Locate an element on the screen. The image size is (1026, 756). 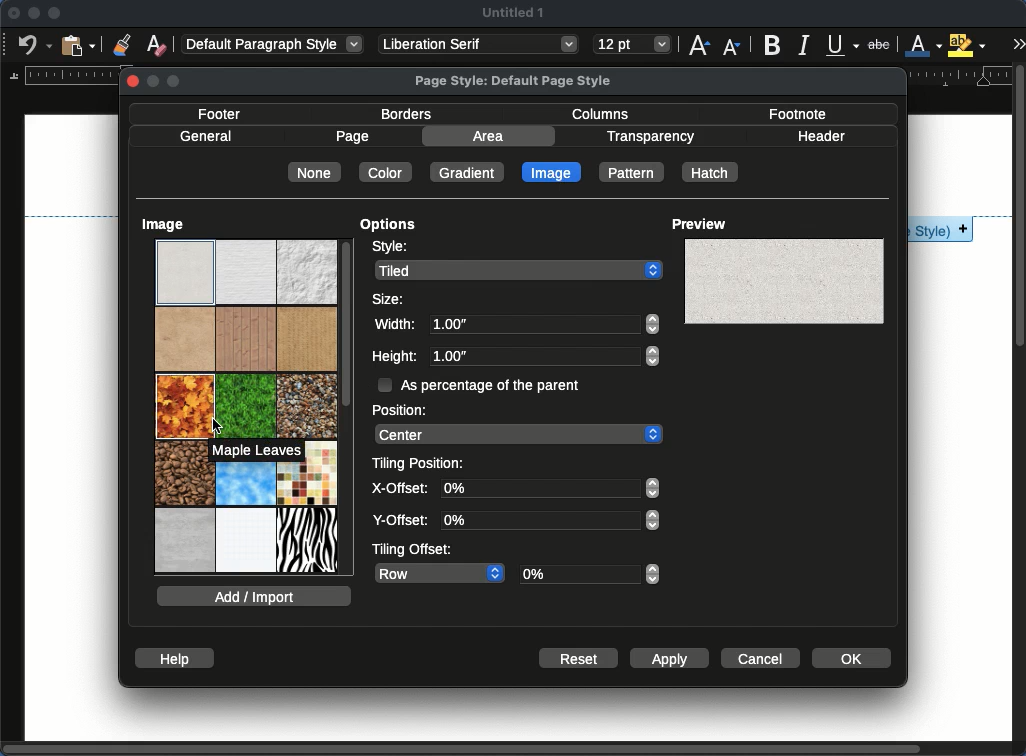
y-offset: is located at coordinates (401, 522).